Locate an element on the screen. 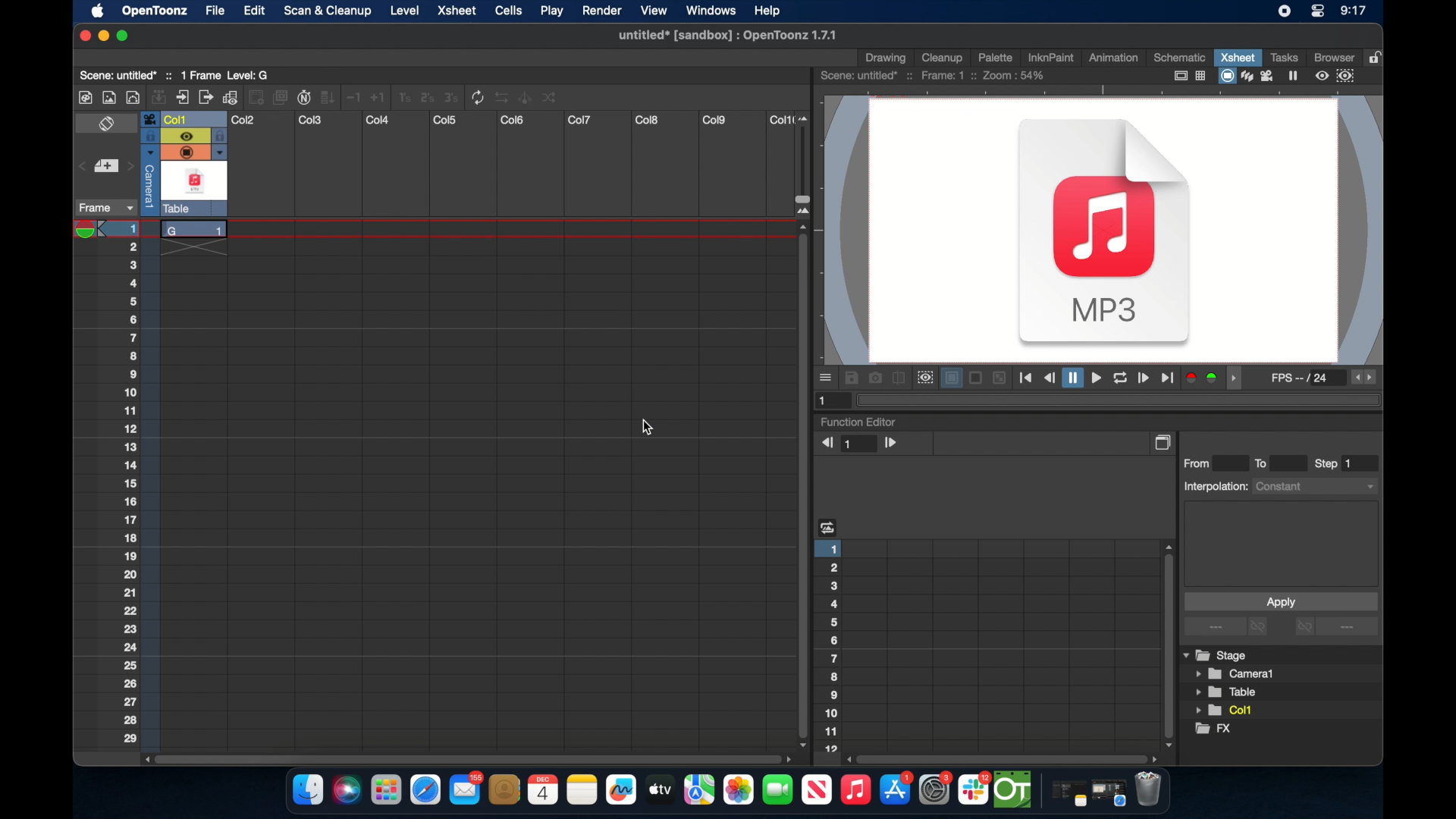 The height and width of the screenshot is (819, 1456). scroll box is located at coordinates (466, 758).